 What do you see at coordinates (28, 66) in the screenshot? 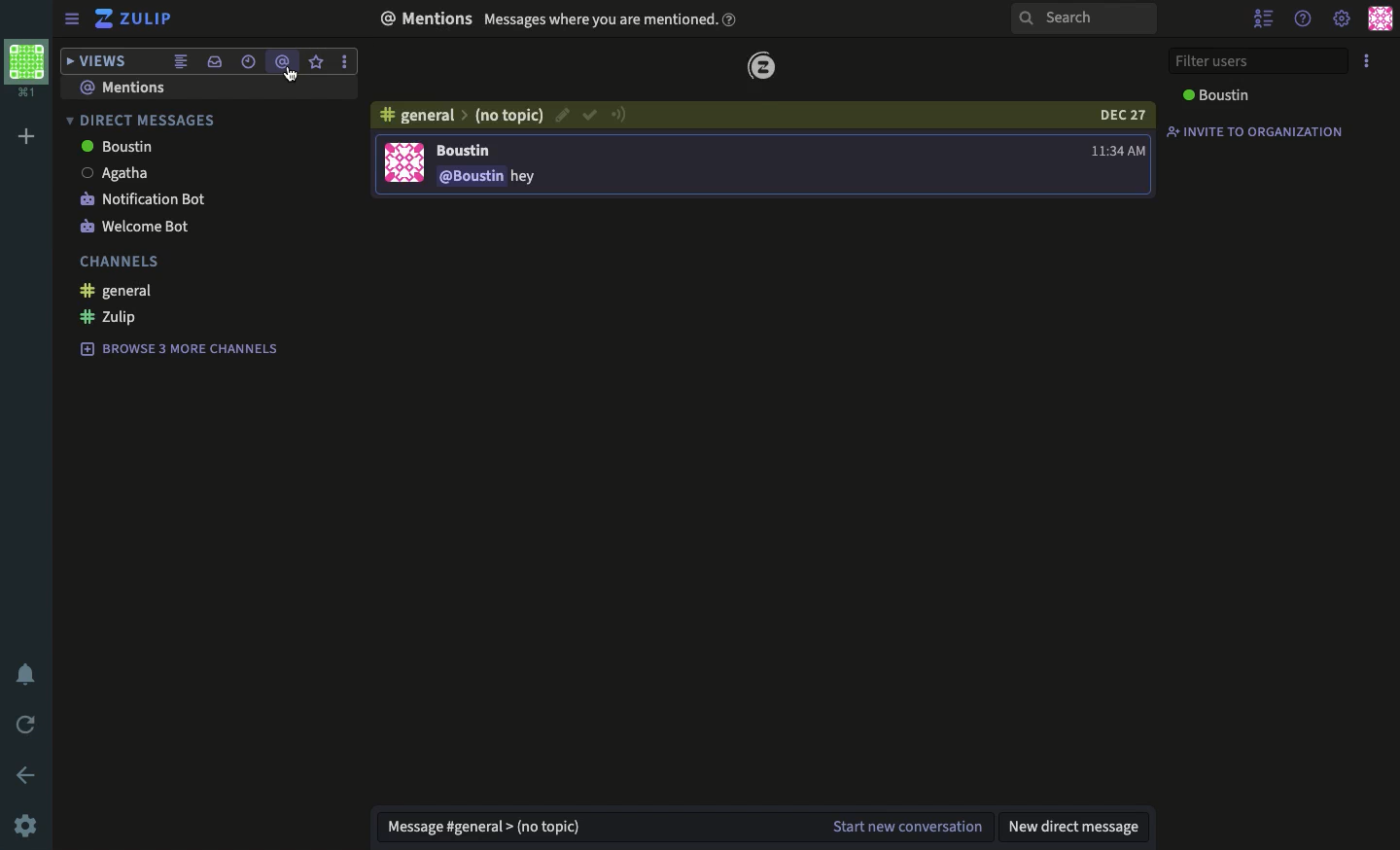
I see `workspace` at bounding box center [28, 66].